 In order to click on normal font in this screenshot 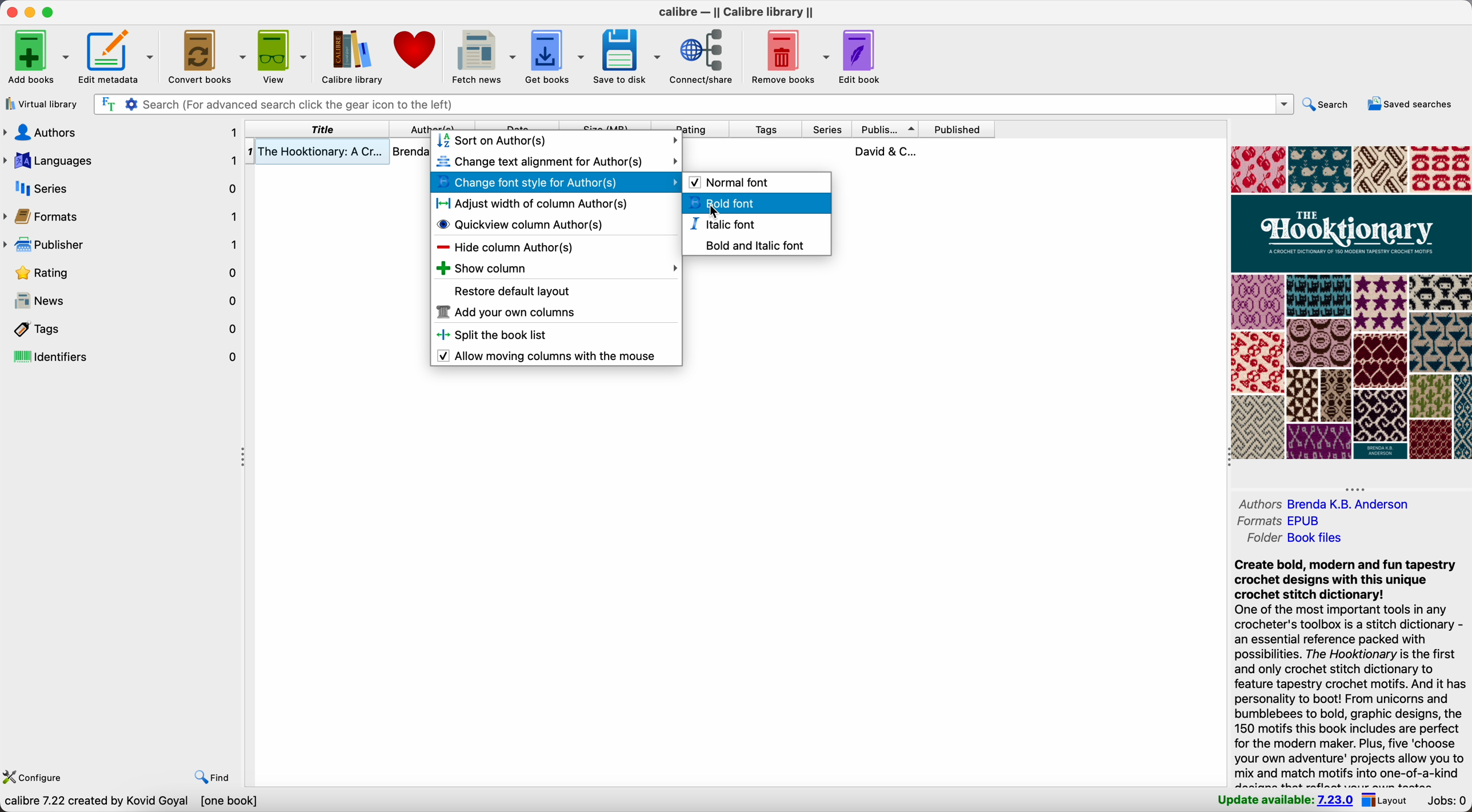, I will do `click(731, 181)`.